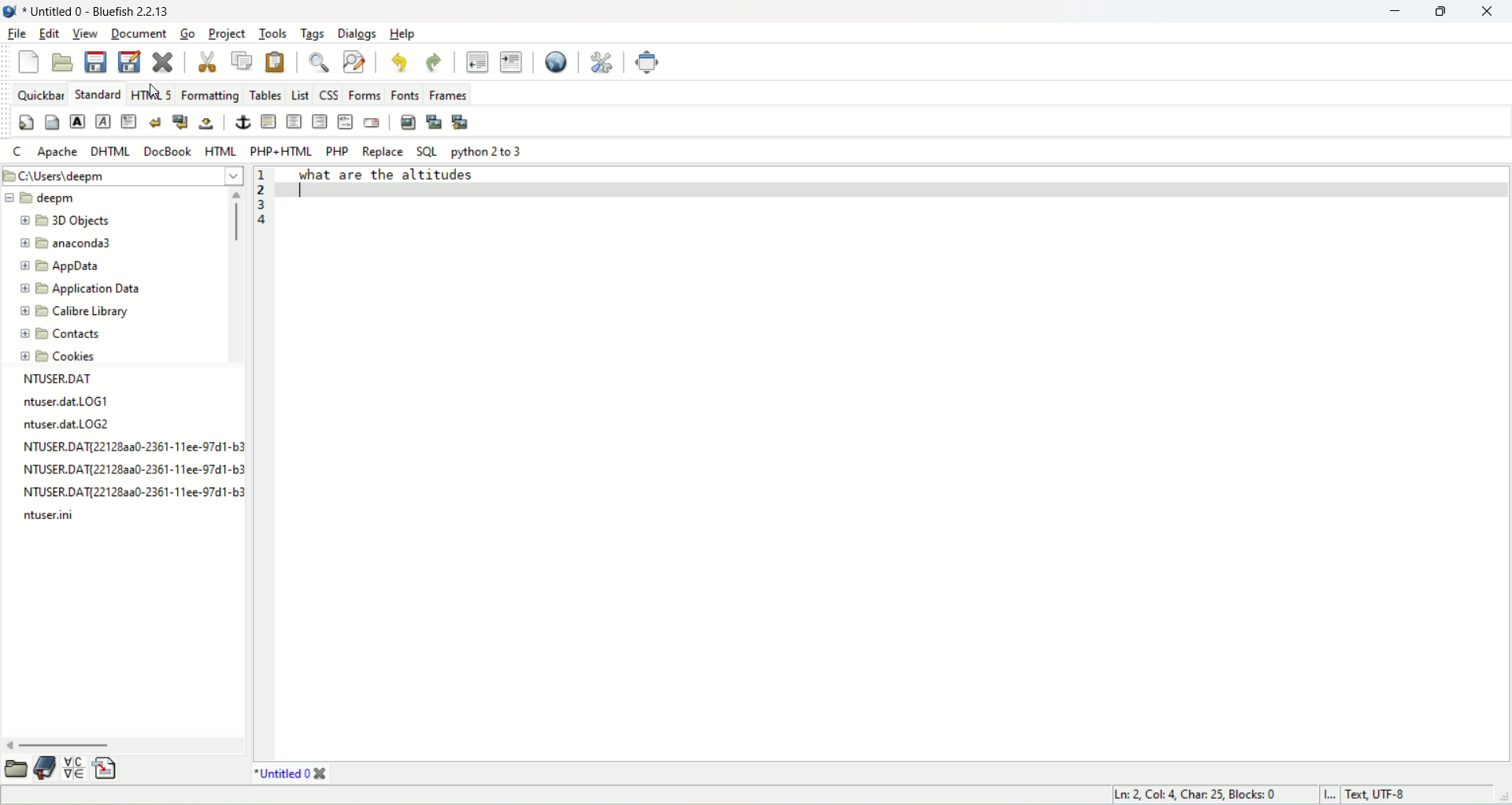 Image resolution: width=1512 pixels, height=805 pixels. What do you see at coordinates (63, 61) in the screenshot?
I see `open file` at bounding box center [63, 61].